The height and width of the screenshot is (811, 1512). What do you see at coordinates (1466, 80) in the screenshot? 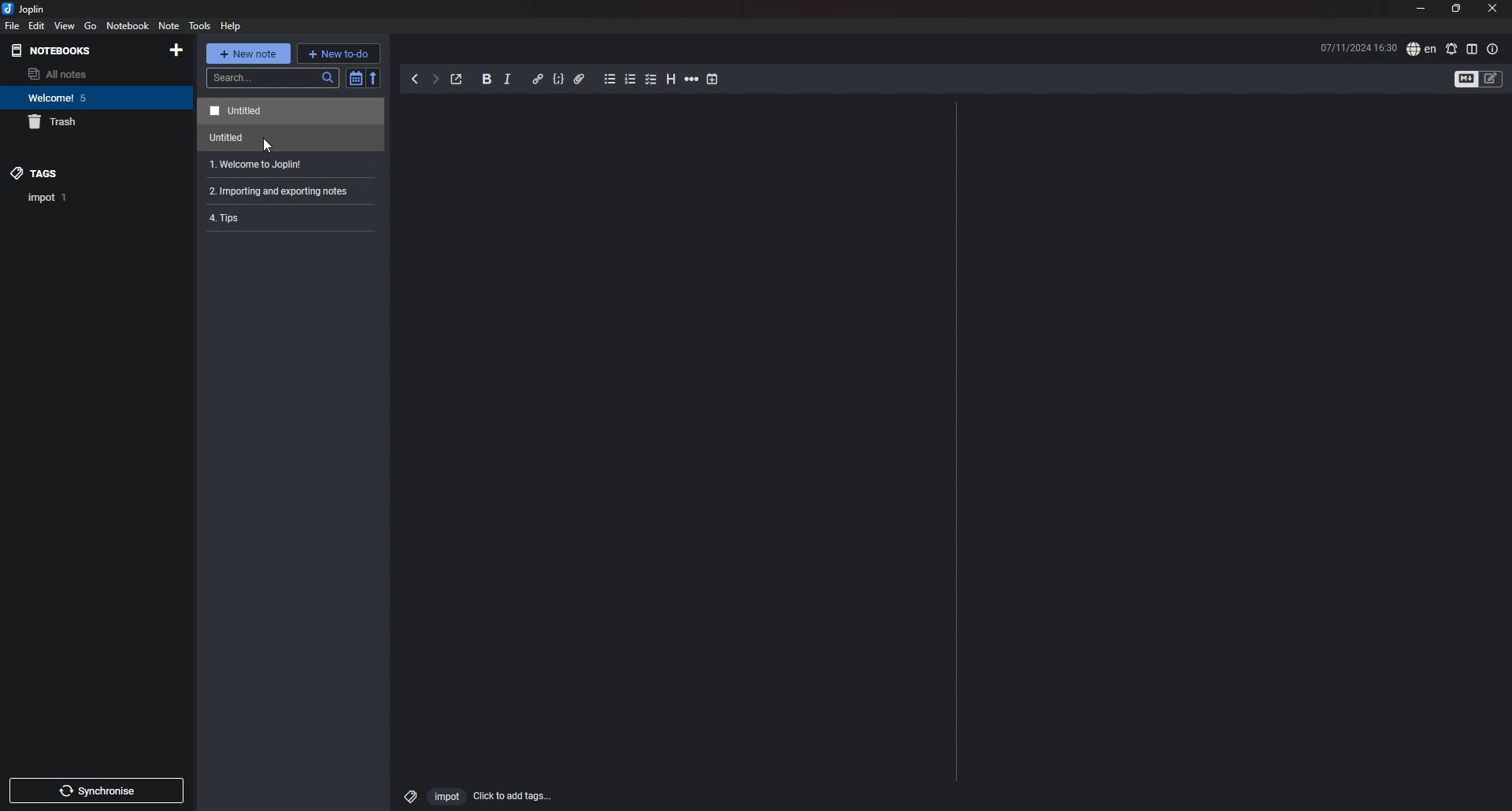
I see `toggle editors` at bounding box center [1466, 80].